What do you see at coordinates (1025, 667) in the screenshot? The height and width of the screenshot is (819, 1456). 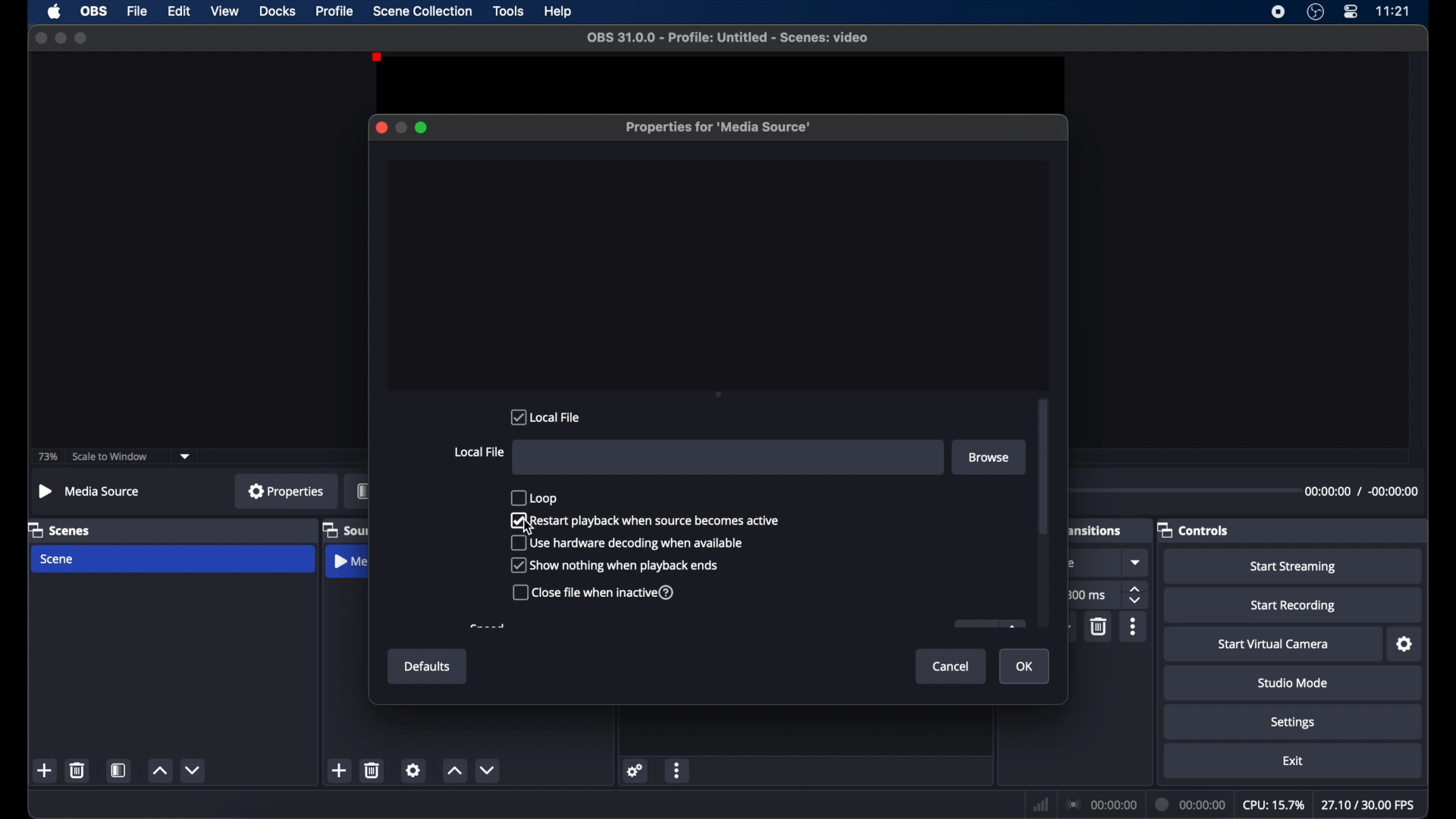 I see `ok` at bounding box center [1025, 667].